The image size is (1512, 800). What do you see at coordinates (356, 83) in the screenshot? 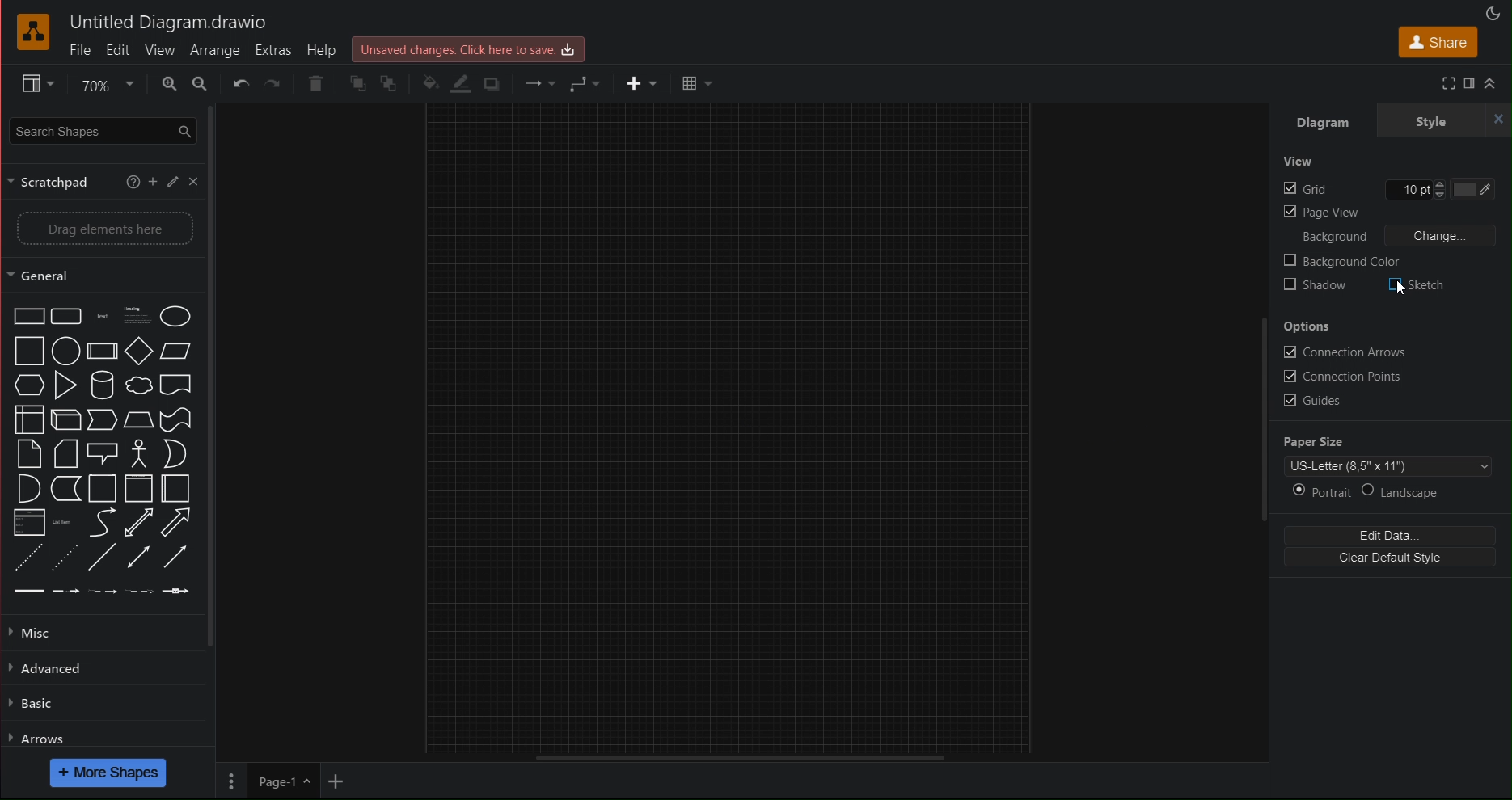
I see `Send front` at bounding box center [356, 83].